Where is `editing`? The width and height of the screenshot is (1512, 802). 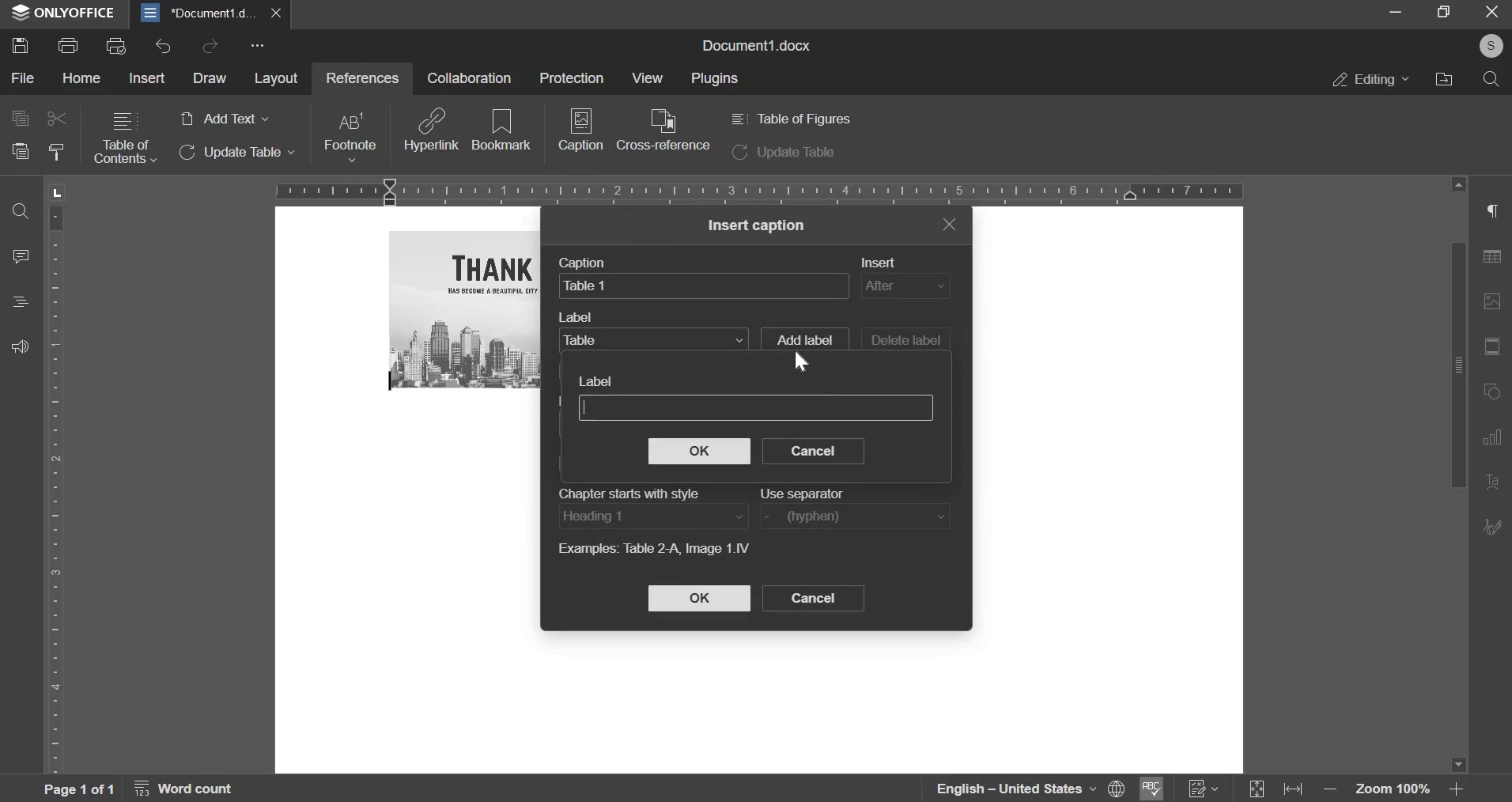 editing is located at coordinates (1371, 79).